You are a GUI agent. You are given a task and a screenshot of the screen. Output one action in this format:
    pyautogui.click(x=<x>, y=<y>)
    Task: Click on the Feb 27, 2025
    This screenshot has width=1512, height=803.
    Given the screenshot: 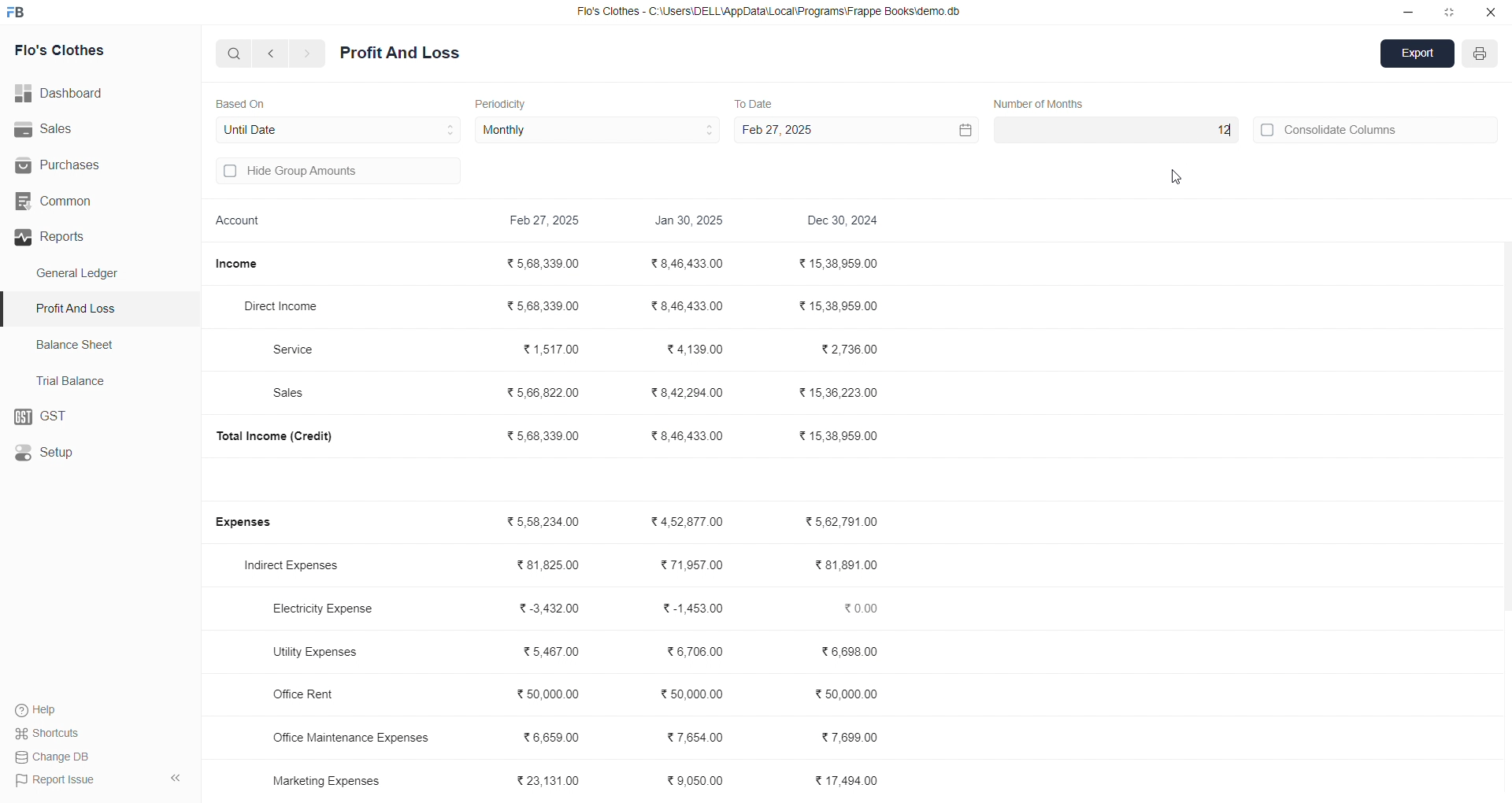 What is the action you would take?
    pyautogui.click(x=854, y=130)
    